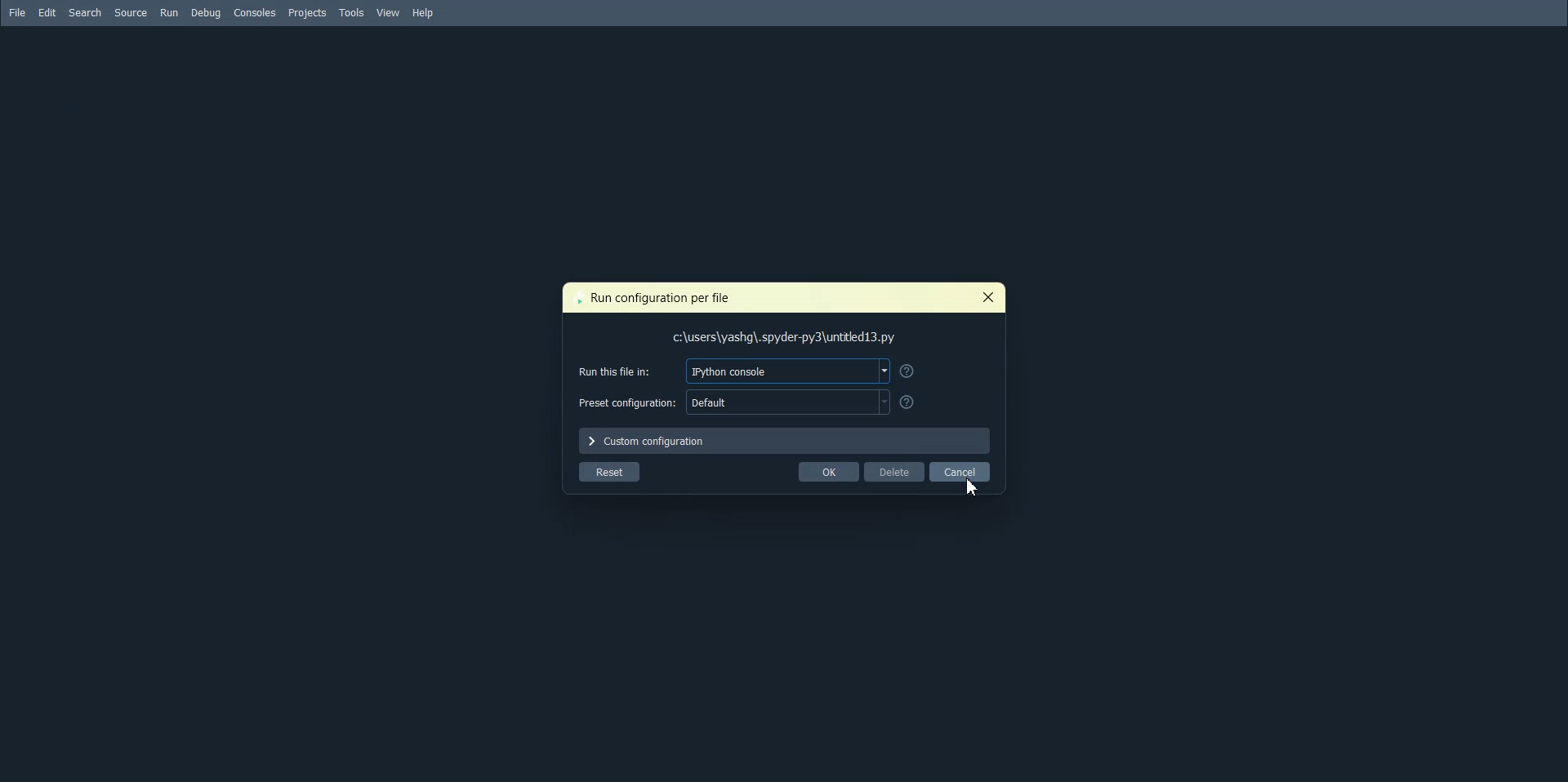 Image resolution: width=1568 pixels, height=782 pixels. I want to click on Tools, so click(353, 12).